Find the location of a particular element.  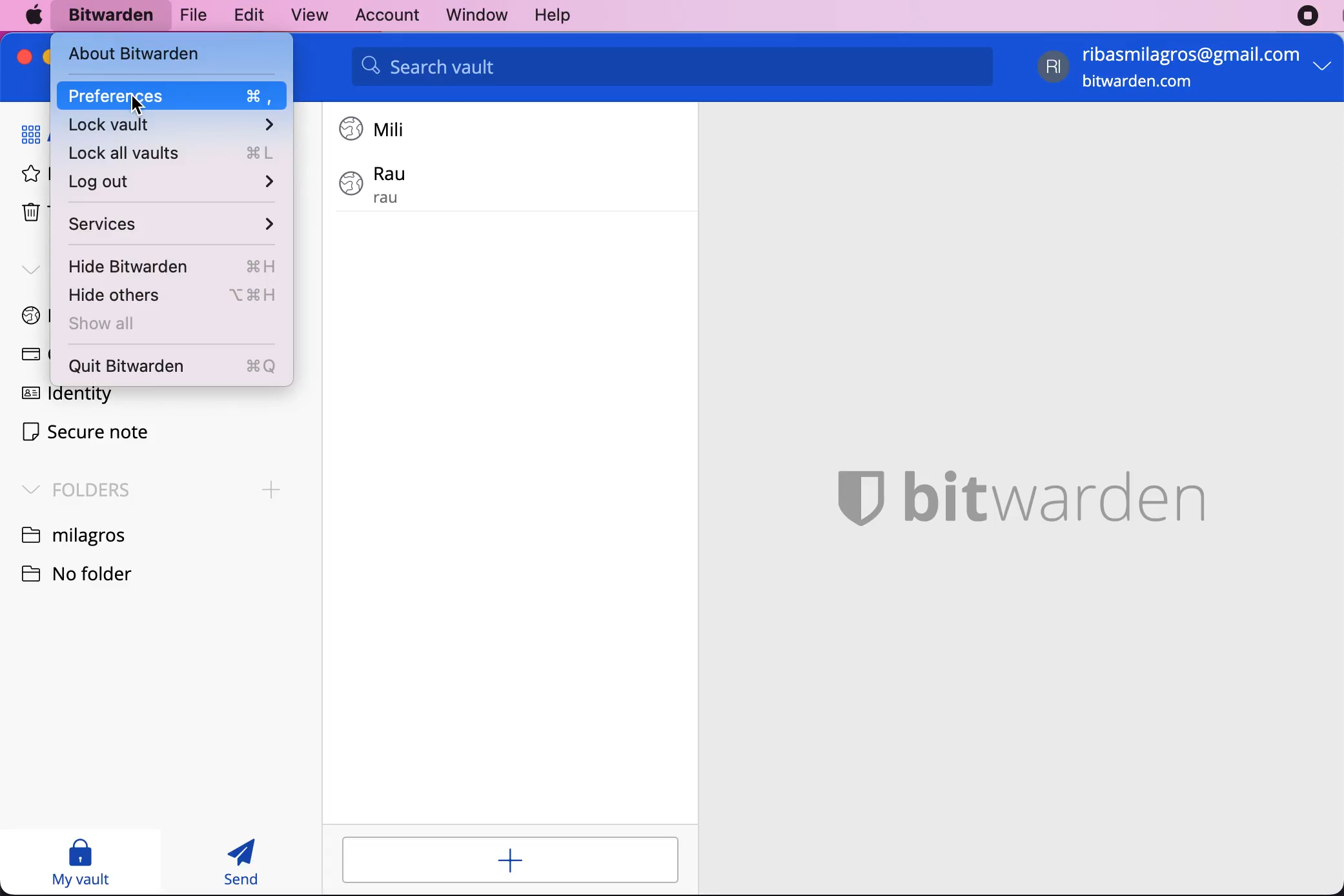

trash is located at coordinates (28, 214).